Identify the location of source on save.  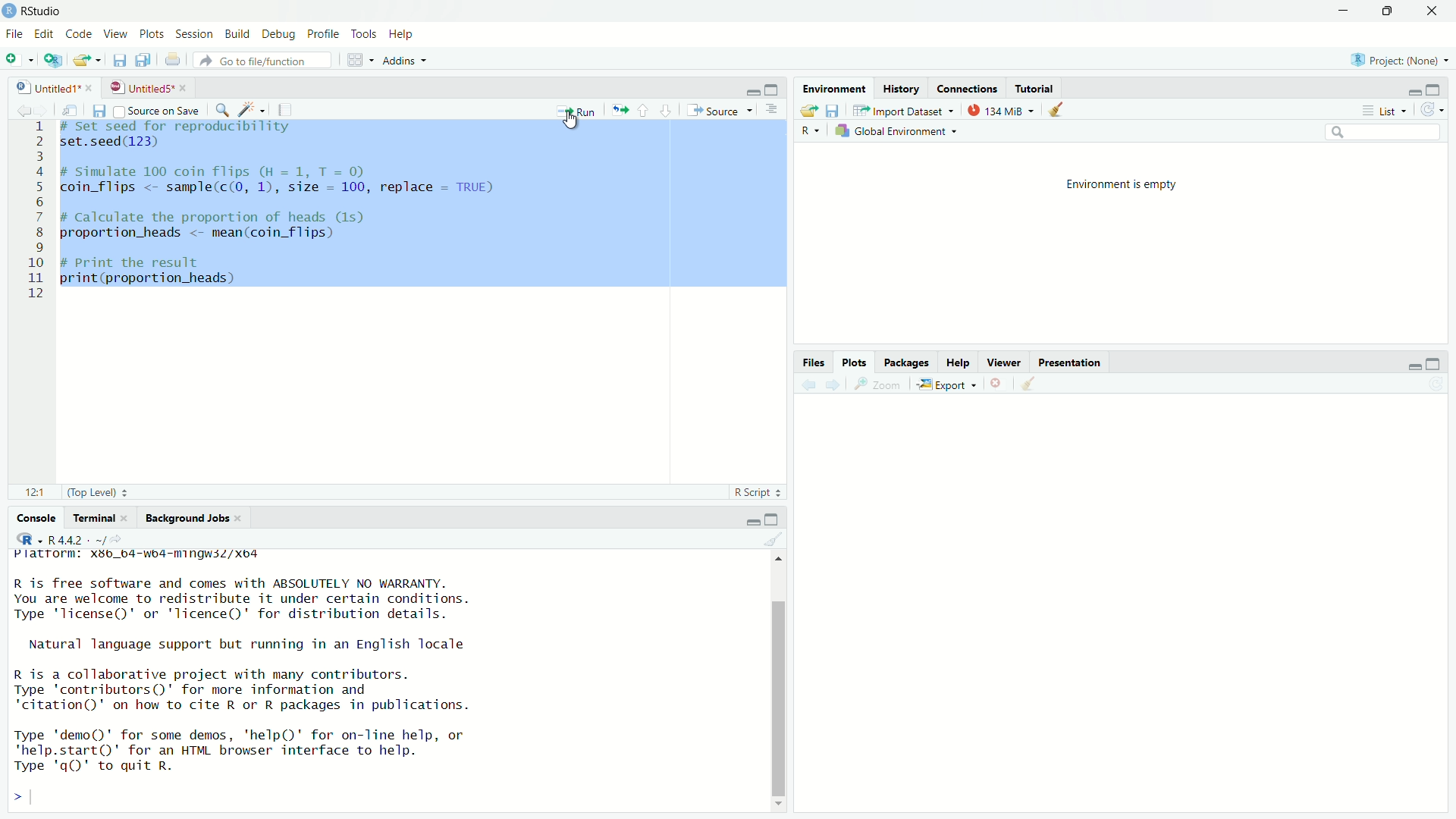
(156, 108).